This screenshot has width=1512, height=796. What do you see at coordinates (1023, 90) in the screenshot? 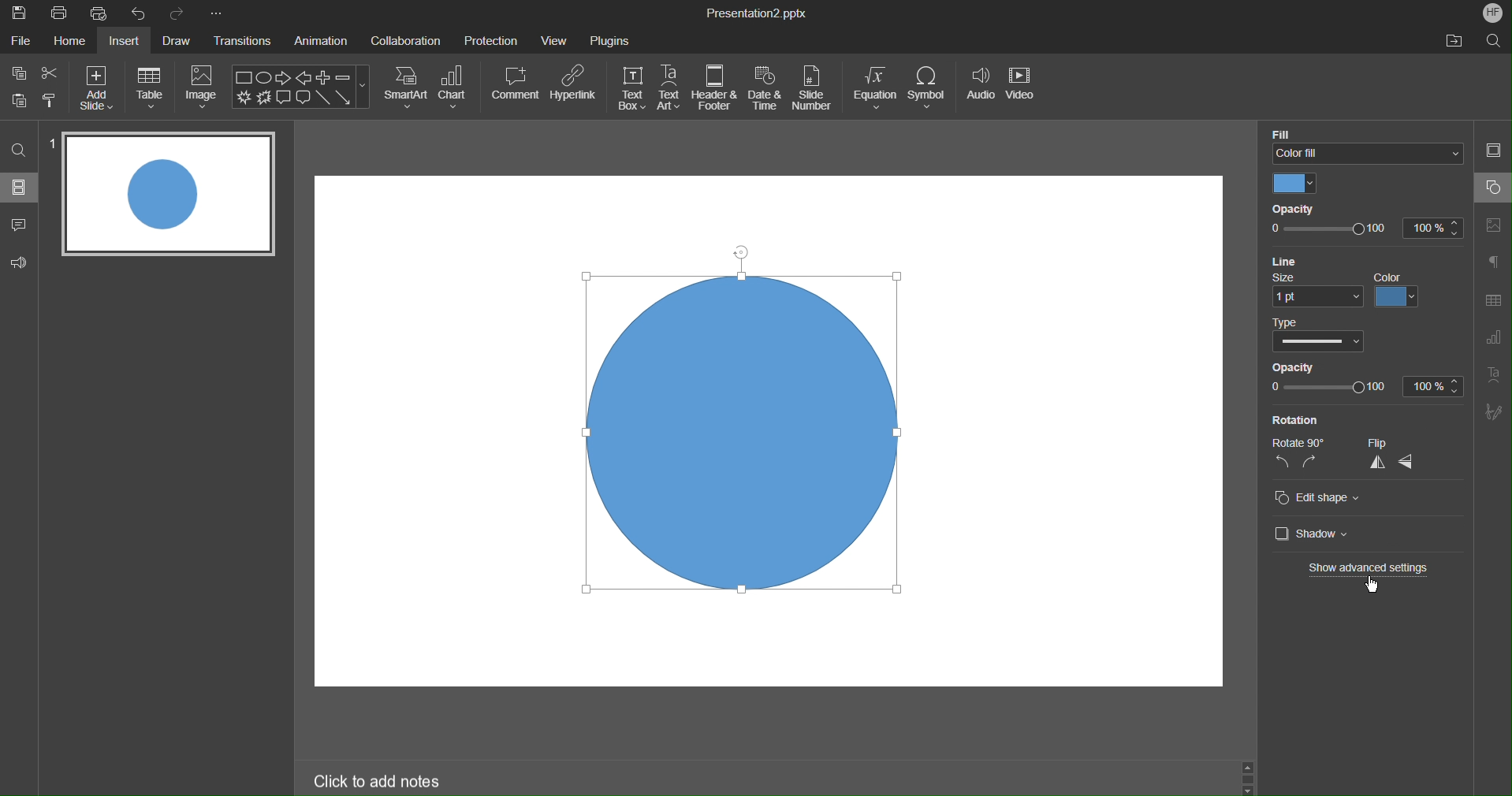
I see `Video` at bounding box center [1023, 90].